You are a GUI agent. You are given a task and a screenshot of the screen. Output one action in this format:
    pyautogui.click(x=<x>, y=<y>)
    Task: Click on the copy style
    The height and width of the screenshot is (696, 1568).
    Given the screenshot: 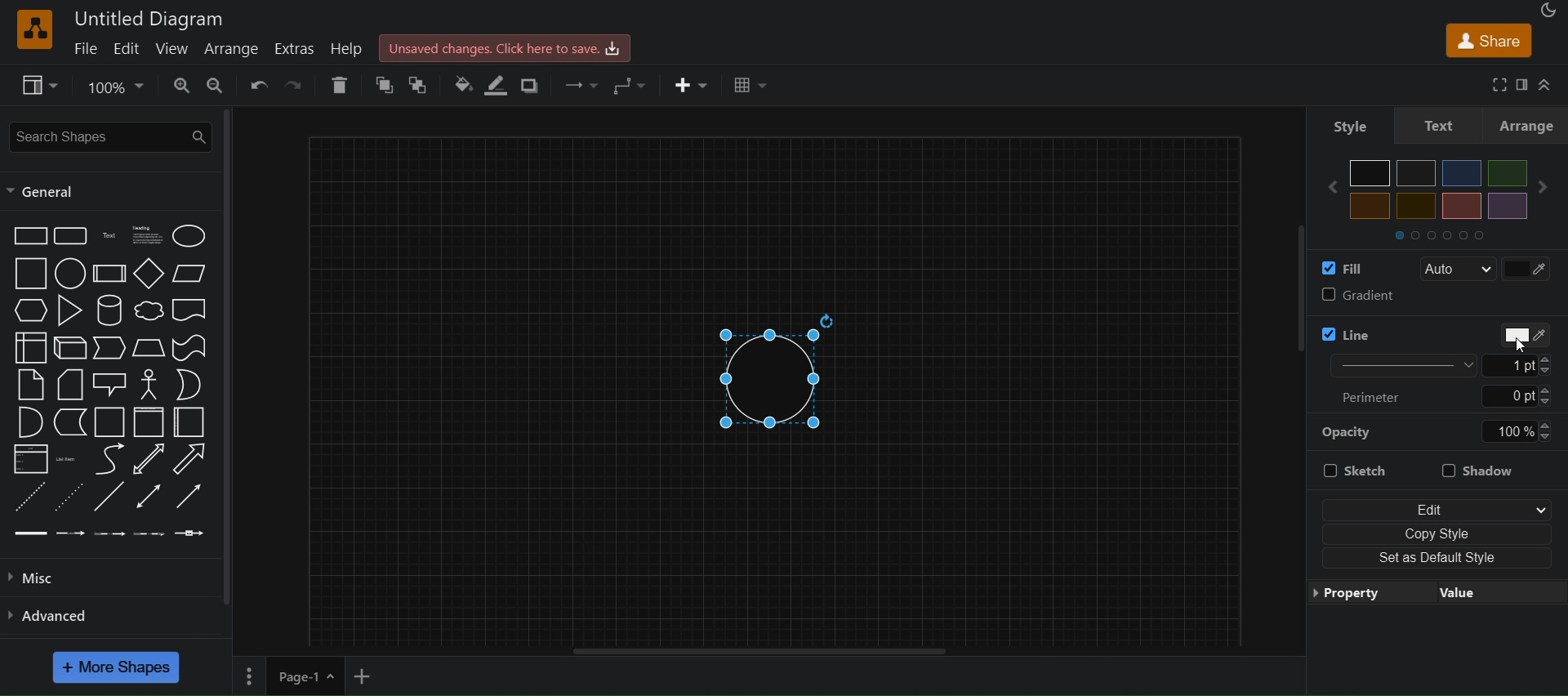 What is the action you would take?
    pyautogui.click(x=1437, y=531)
    